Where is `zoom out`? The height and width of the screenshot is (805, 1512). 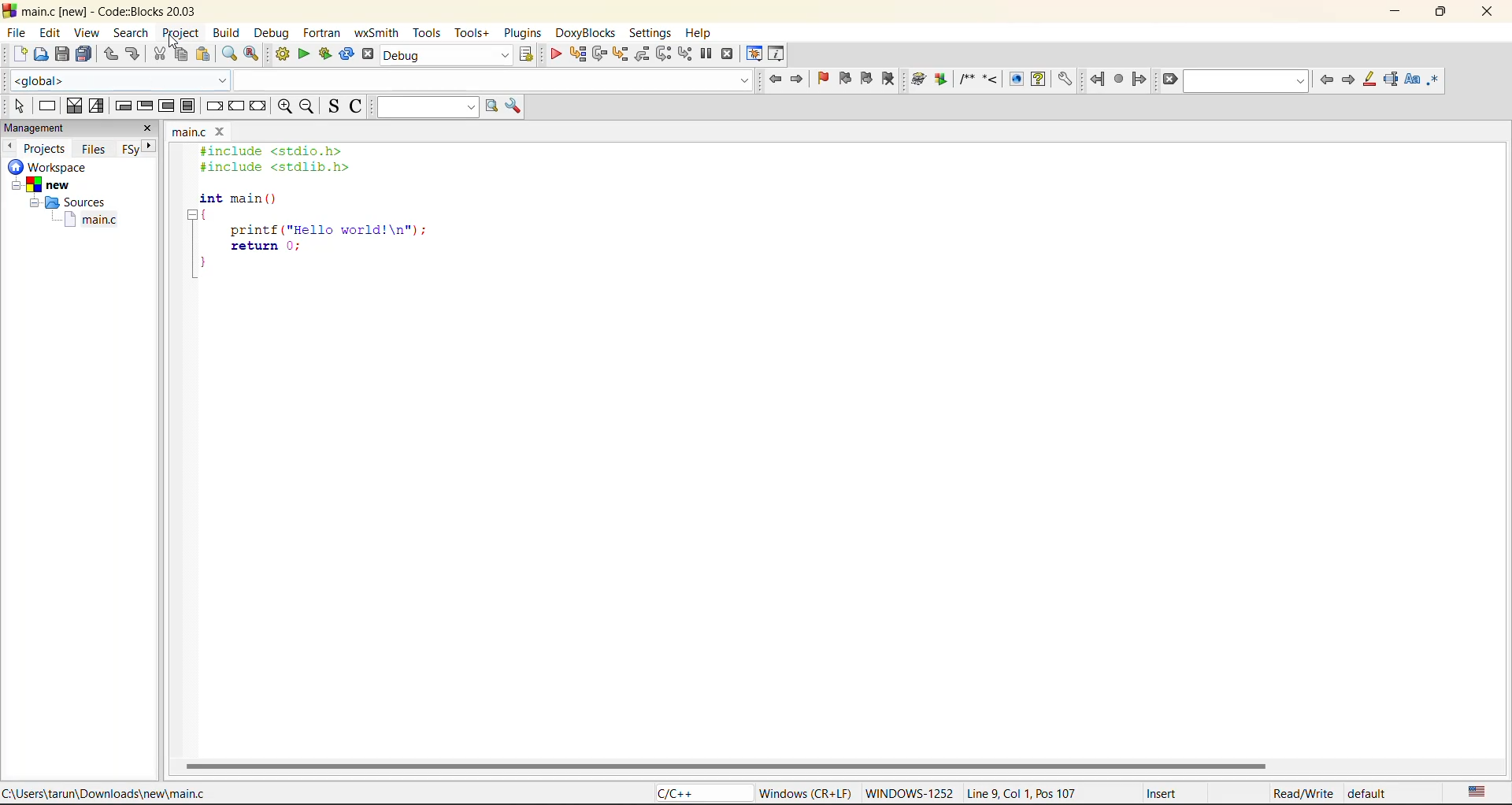
zoom out is located at coordinates (311, 107).